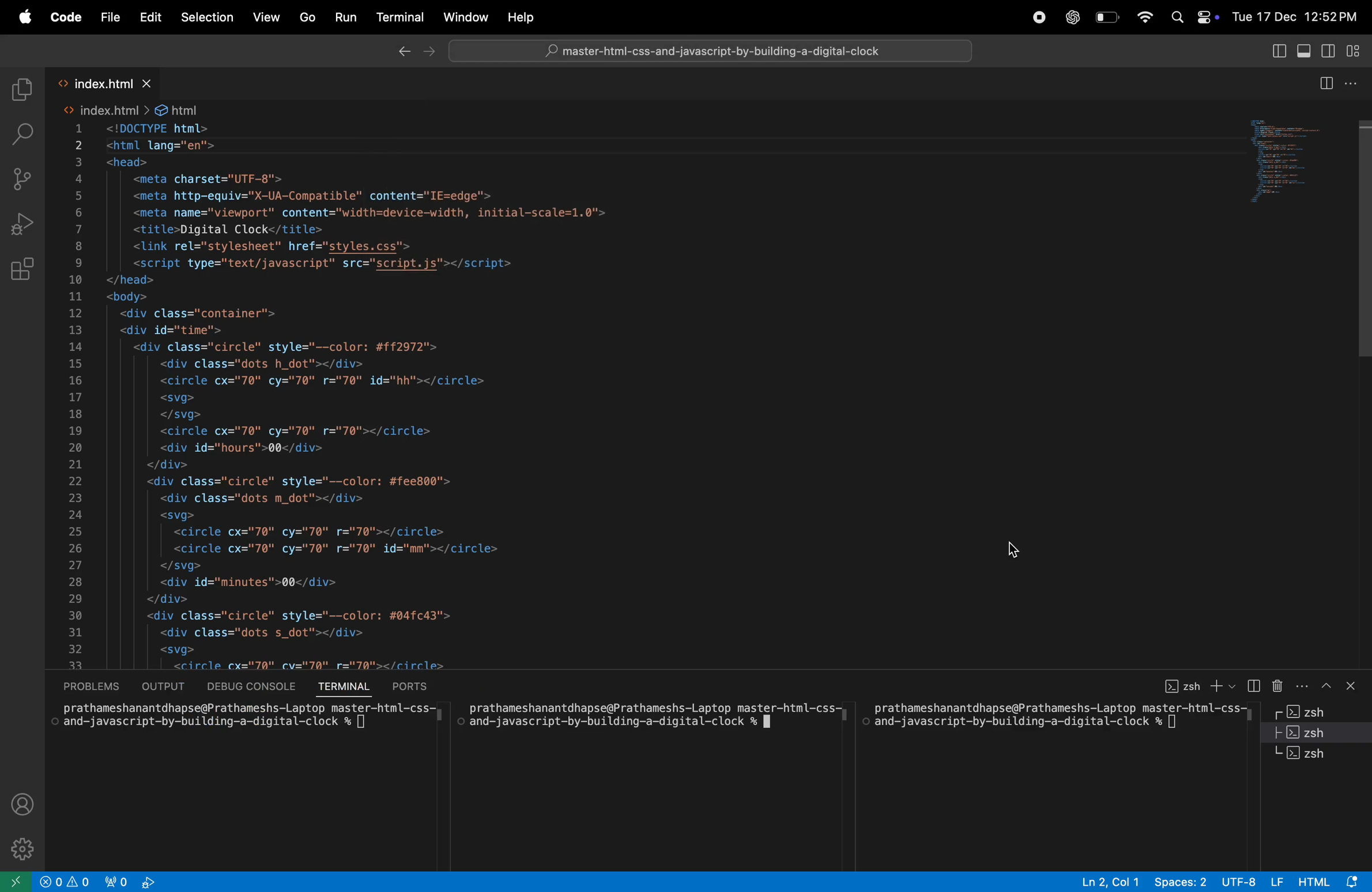 The width and height of the screenshot is (1372, 892). I want to click on File, so click(109, 18).